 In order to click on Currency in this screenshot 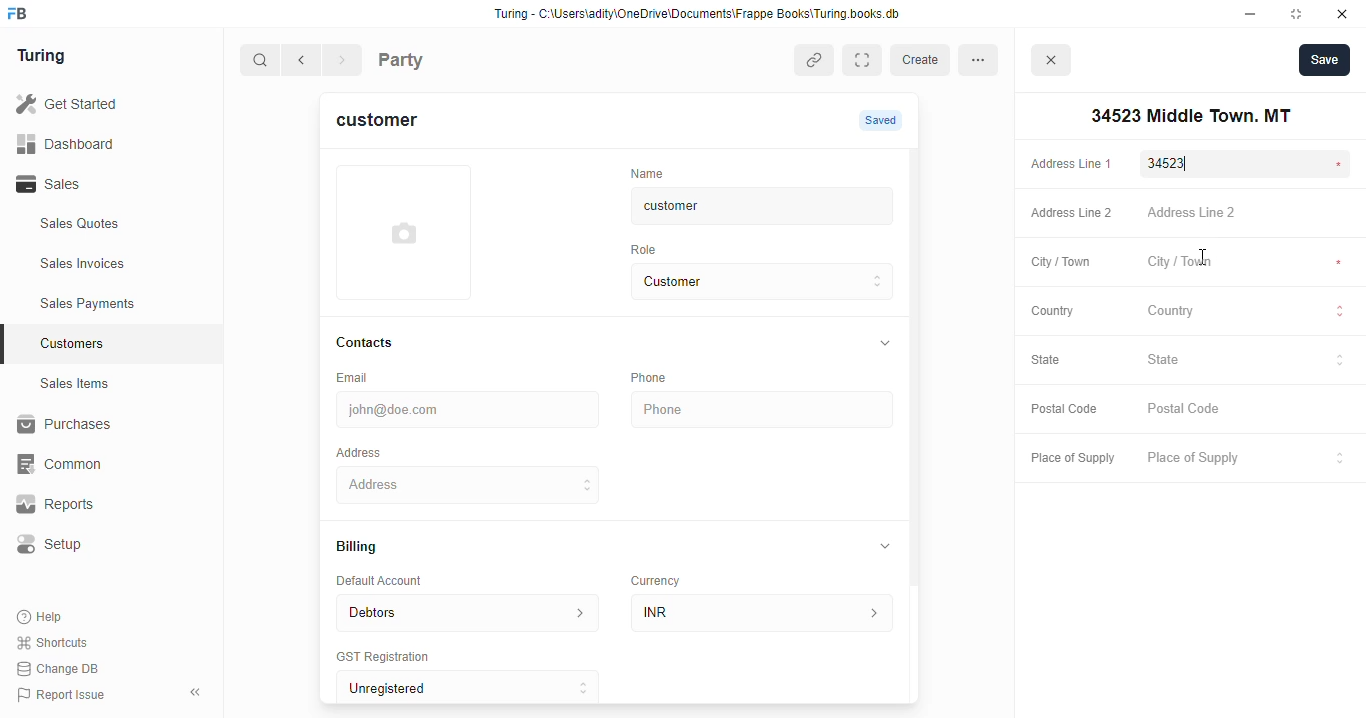, I will do `click(664, 576)`.